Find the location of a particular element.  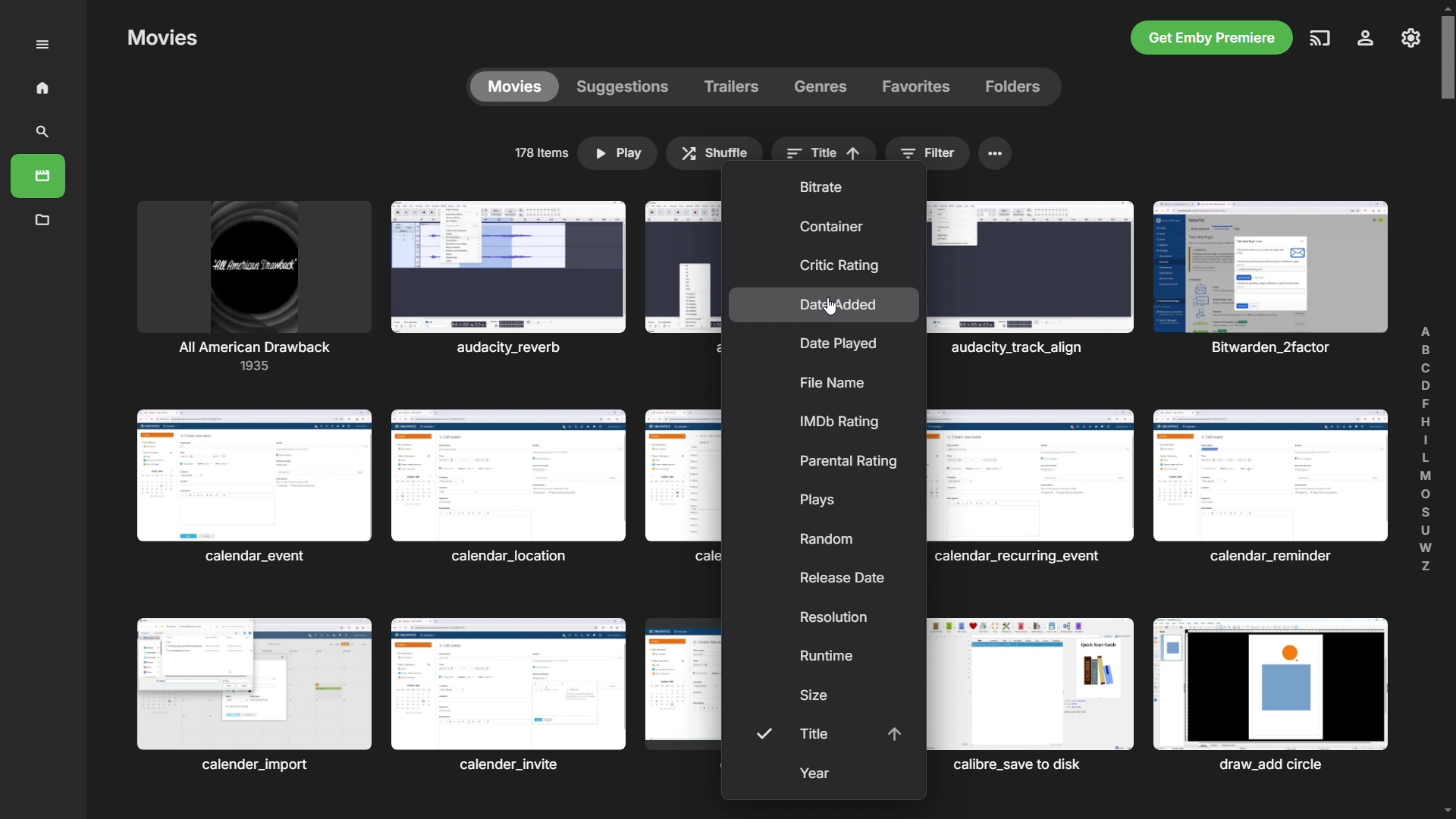

date added is located at coordinates (827, 304).